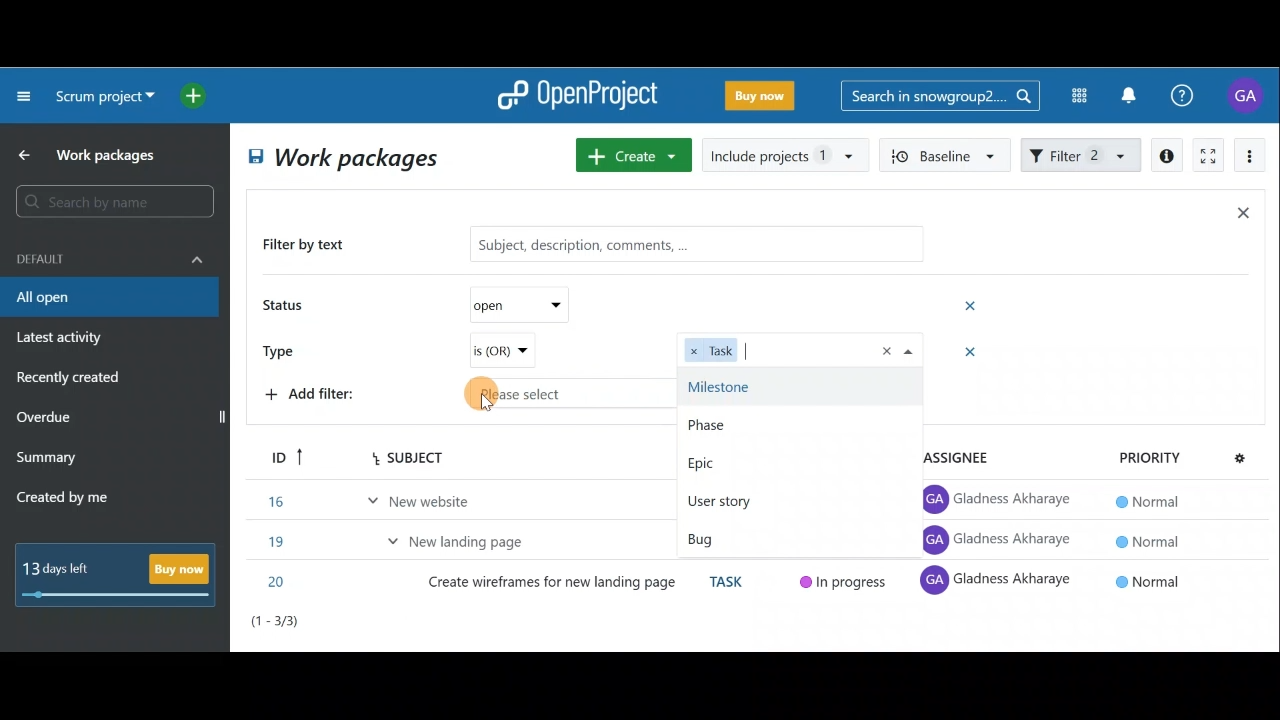 This screenshot has height=720, width=1280. Describe the element at coordinates (1242, 217) in the screenshot. I see `Close` at that location.